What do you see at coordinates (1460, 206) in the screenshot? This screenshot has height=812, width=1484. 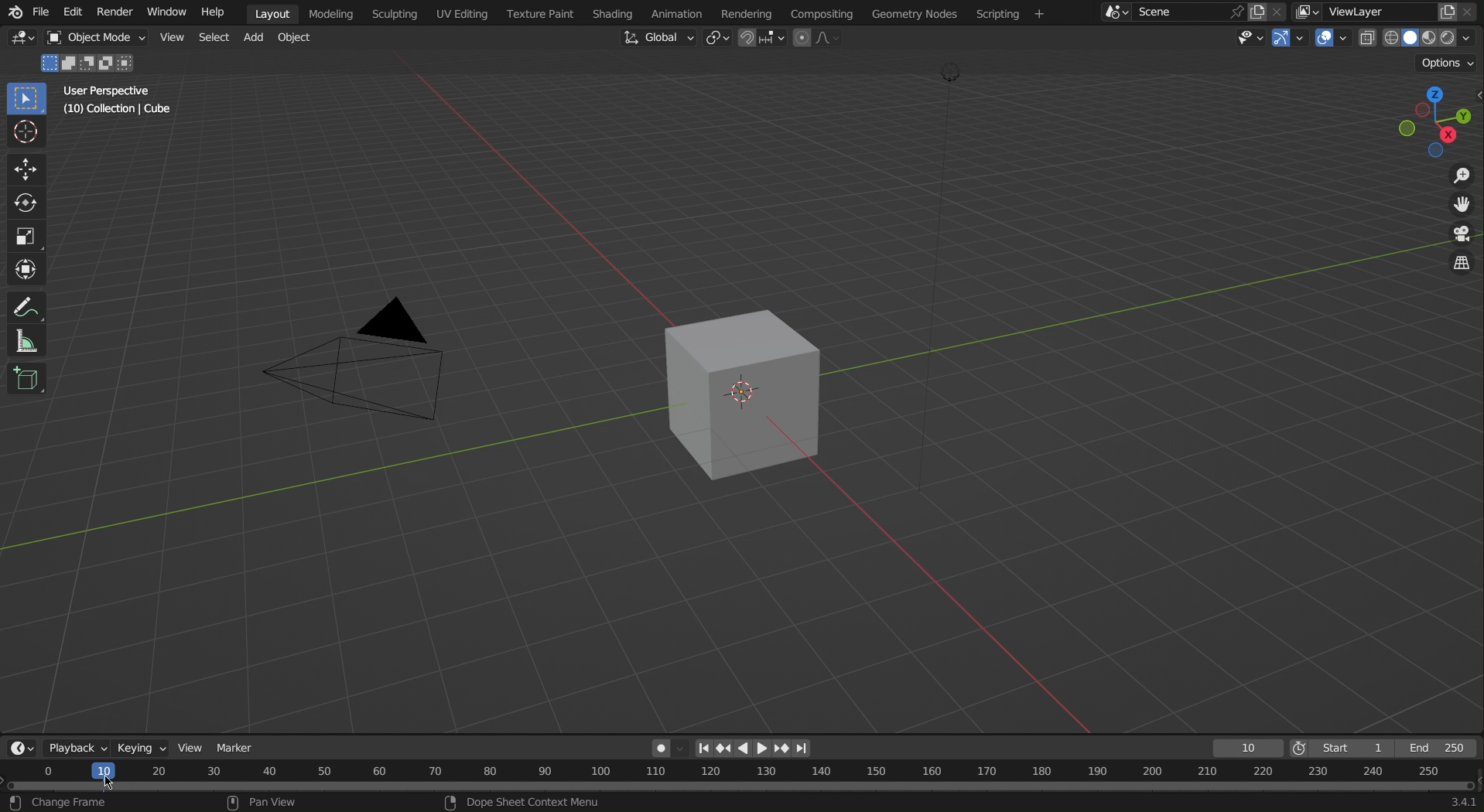 I see `Move View` at bounding box center [1460, 206].